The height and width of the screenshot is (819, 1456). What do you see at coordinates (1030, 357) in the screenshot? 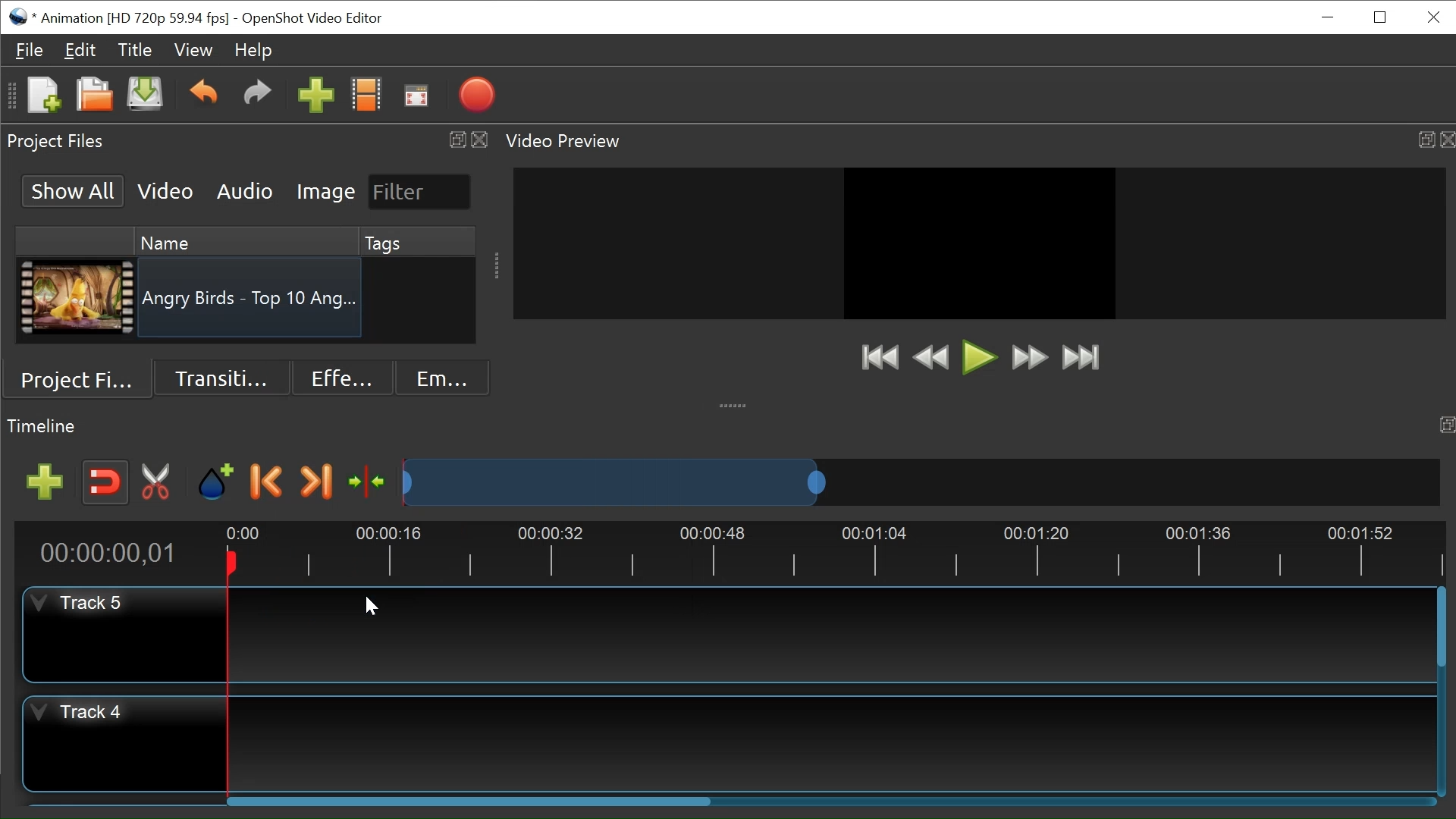
I see `Fast Forward` at bounding box center [1030, 357].